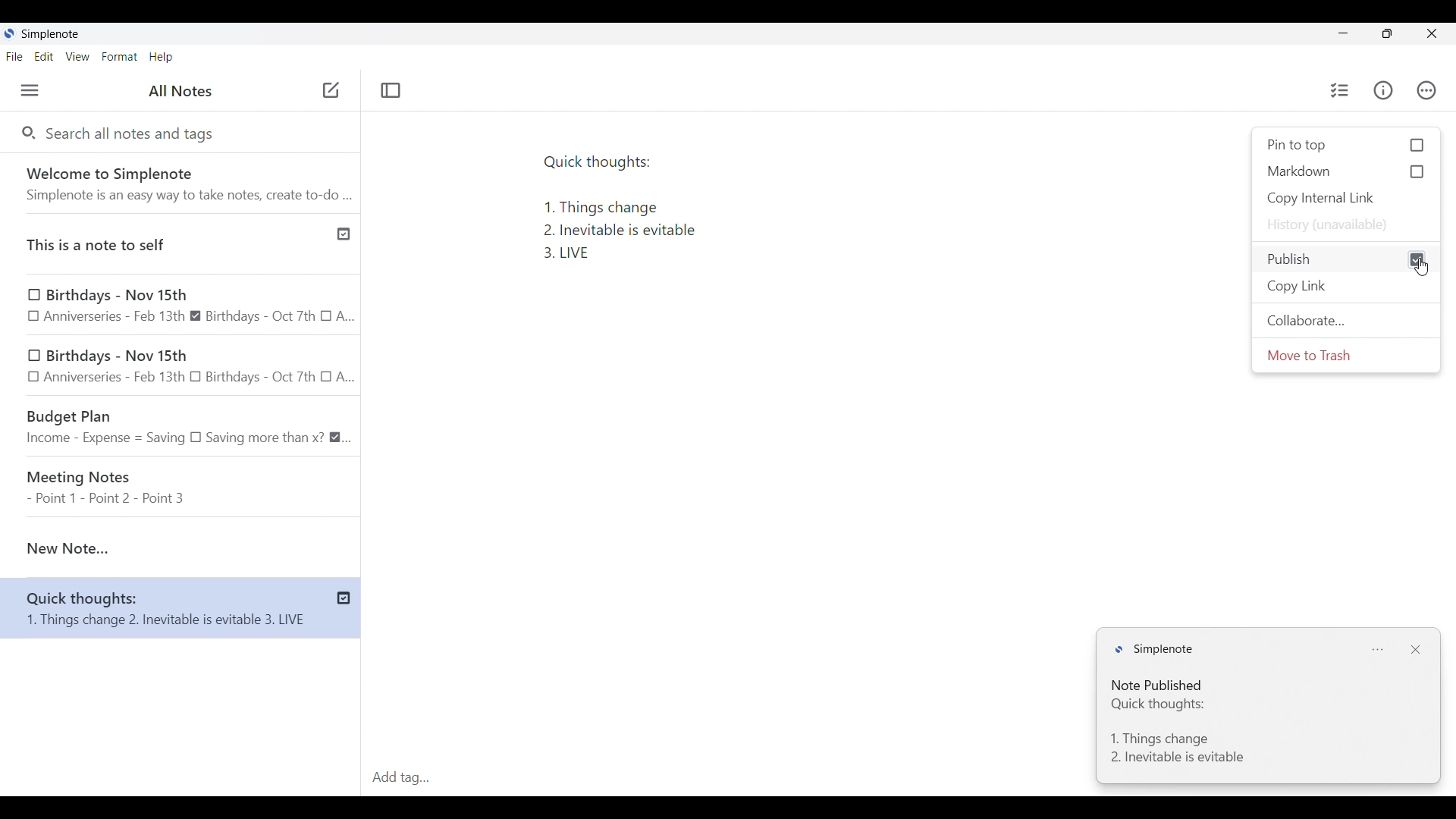 The image size is (1456, 819). I want to click on Birthdays - Nov 15th, so click(182, 366).